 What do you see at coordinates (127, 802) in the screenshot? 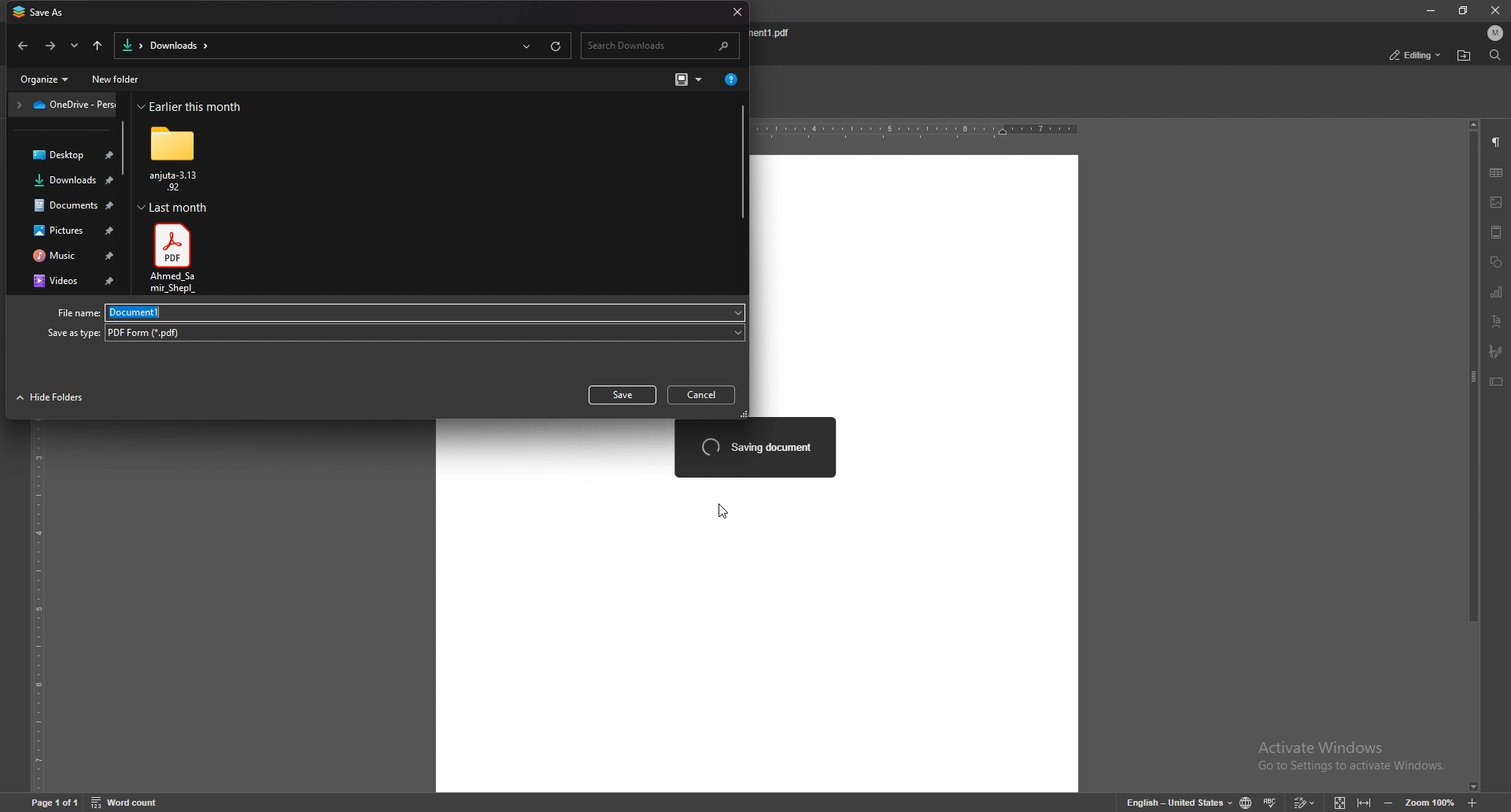
I see `word count` at bounding box center [127, 802].